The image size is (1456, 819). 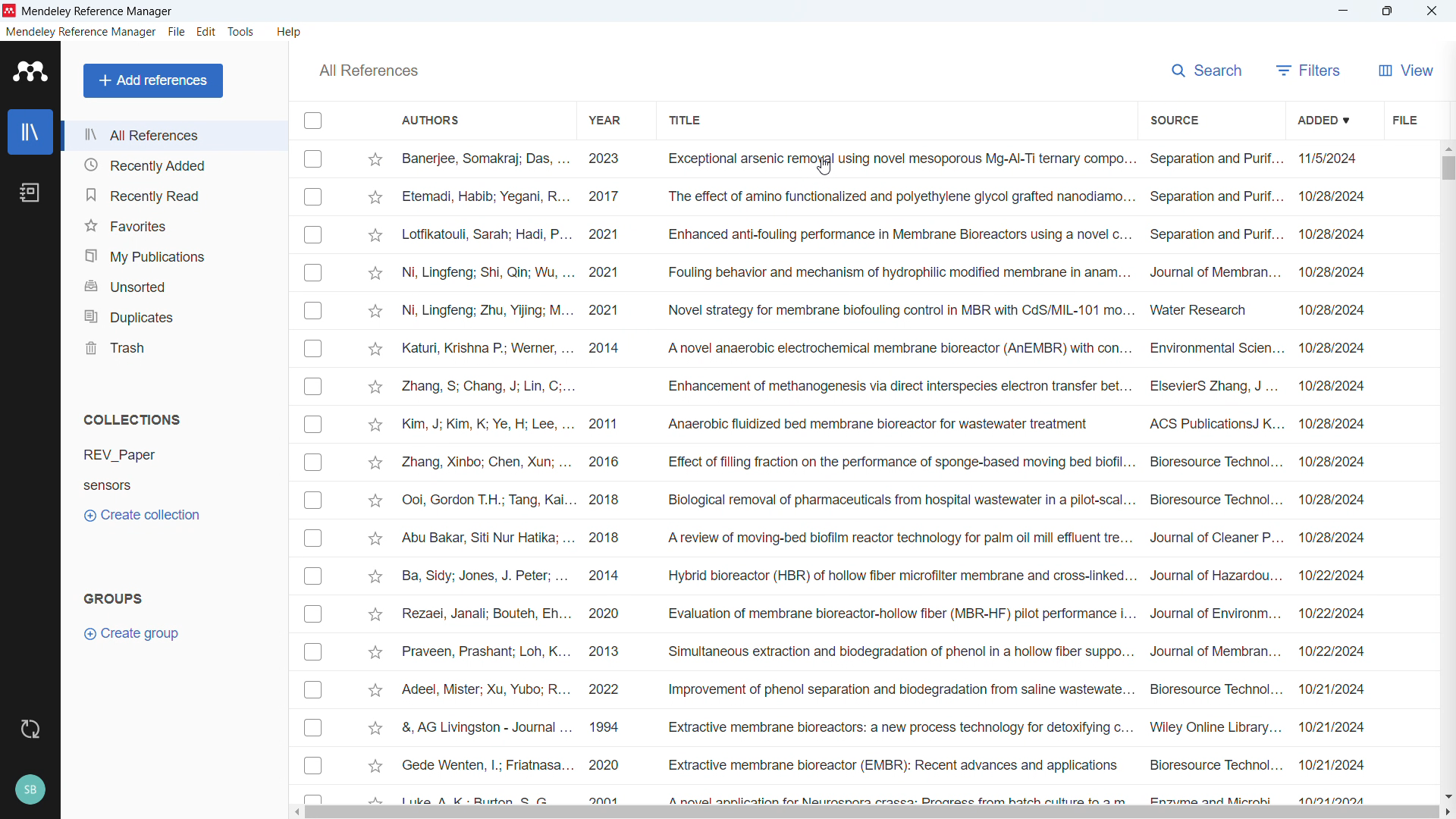 I want to click on adeel,mister,xu,yubo,r, so click(x=485, y=690).